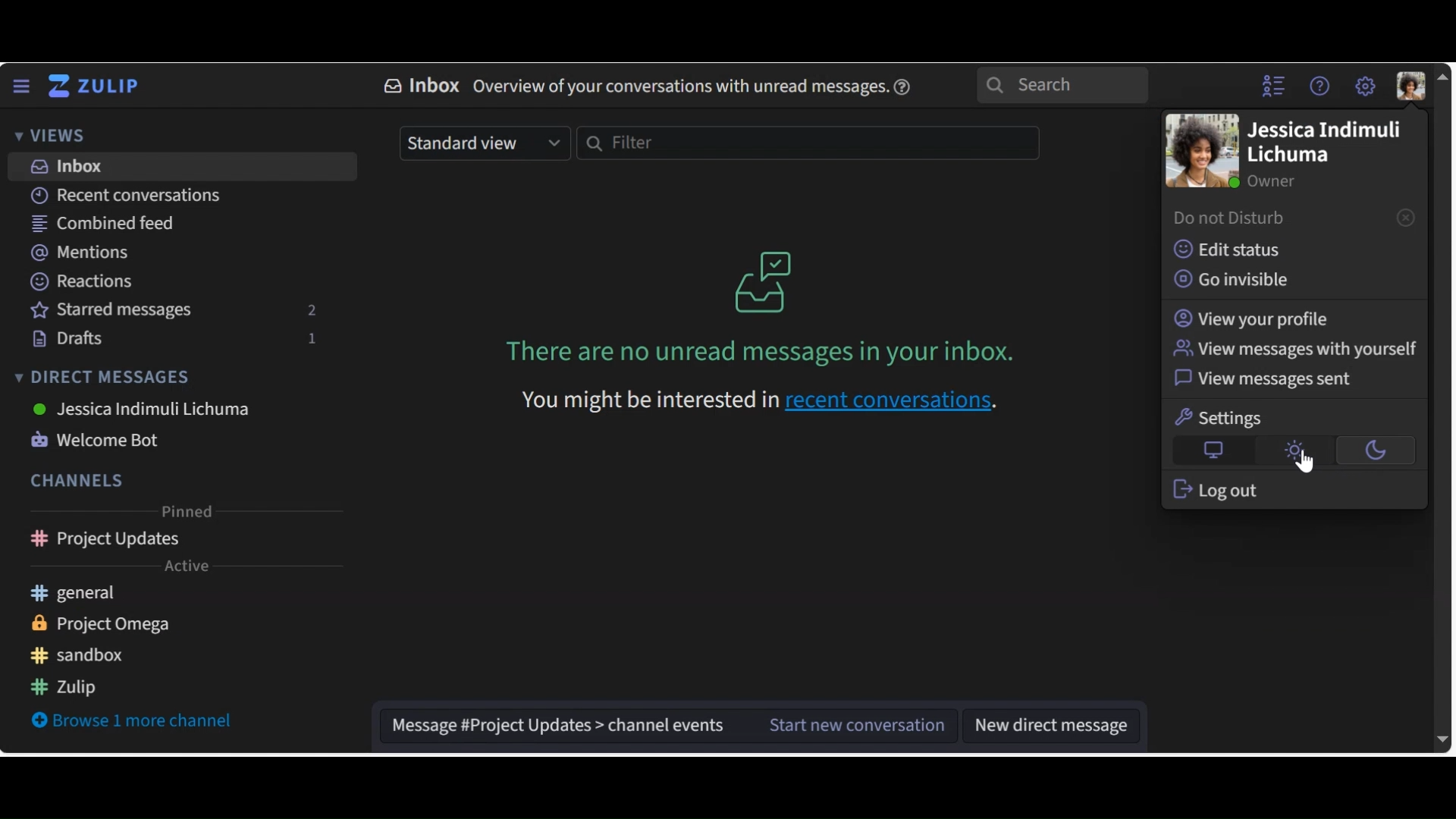 This screenshot has width=1456, height=819. What do you see at coordinates (143, 409) in the screenshot?
I see `Jessica Indimuli Lichuma` at bounding box center [143, 409].